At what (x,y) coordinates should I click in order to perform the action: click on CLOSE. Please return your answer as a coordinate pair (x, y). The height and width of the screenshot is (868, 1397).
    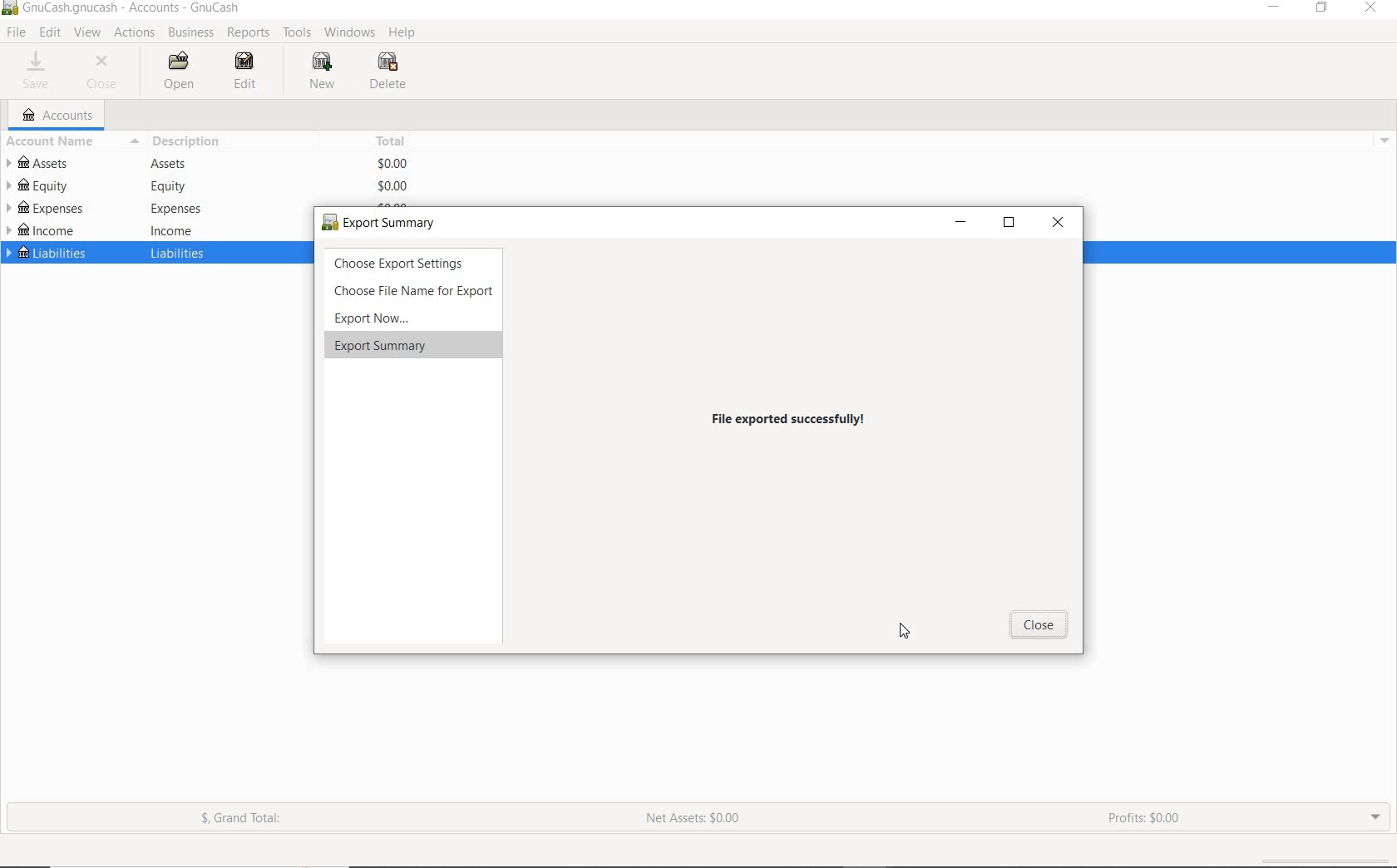
    Looking at the image, I should click on (106, 71).